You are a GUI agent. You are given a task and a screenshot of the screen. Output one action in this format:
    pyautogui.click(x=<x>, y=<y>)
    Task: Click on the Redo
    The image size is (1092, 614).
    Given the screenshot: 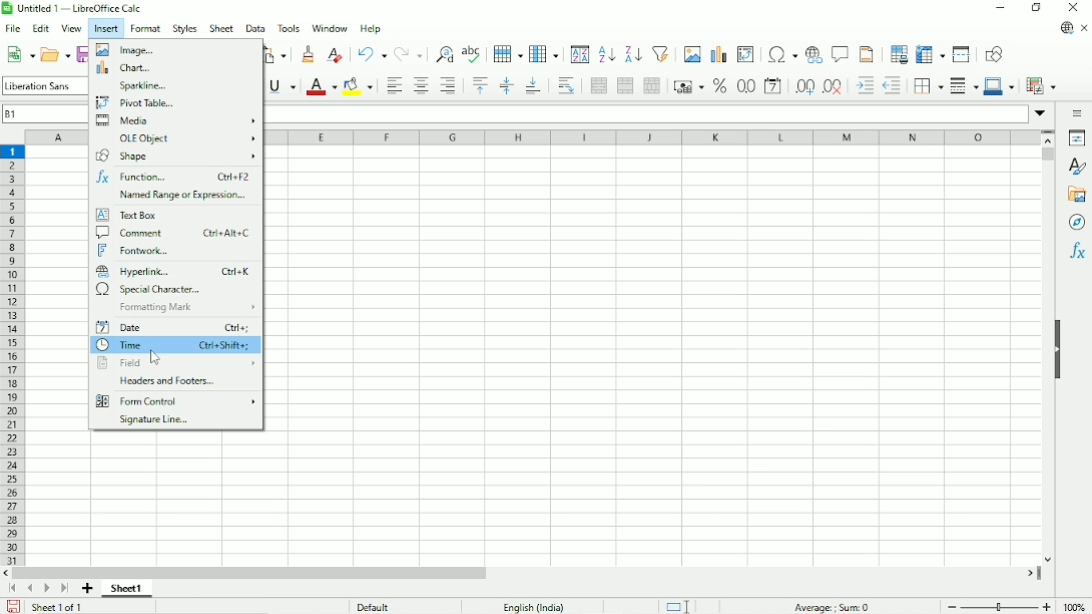 What is the action you would take?
    pyautogui.click(x=408, y=54)
    